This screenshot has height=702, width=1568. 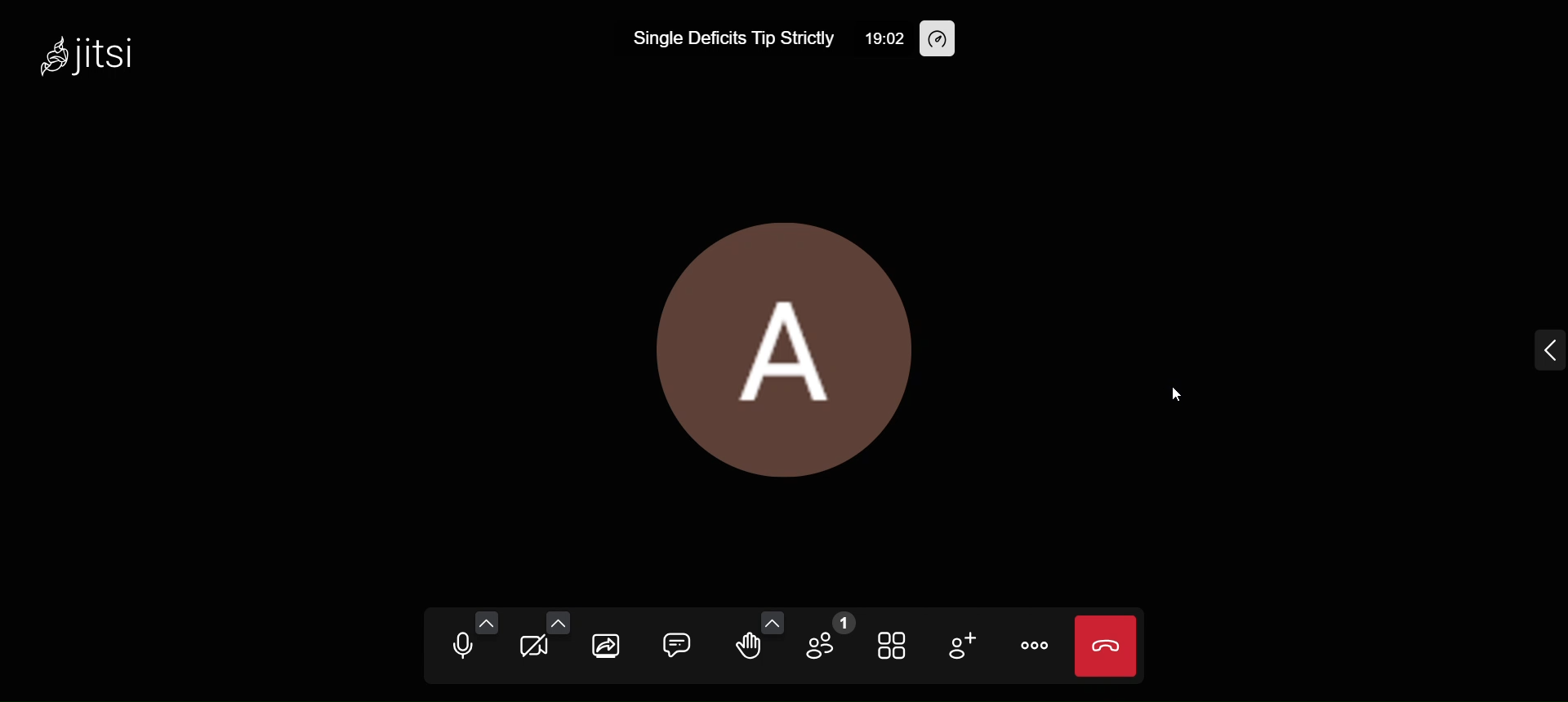 What do you see at coordinates (1035, 646) in the screenshot?
I see `more actions` at bounding box center [1035, 646].